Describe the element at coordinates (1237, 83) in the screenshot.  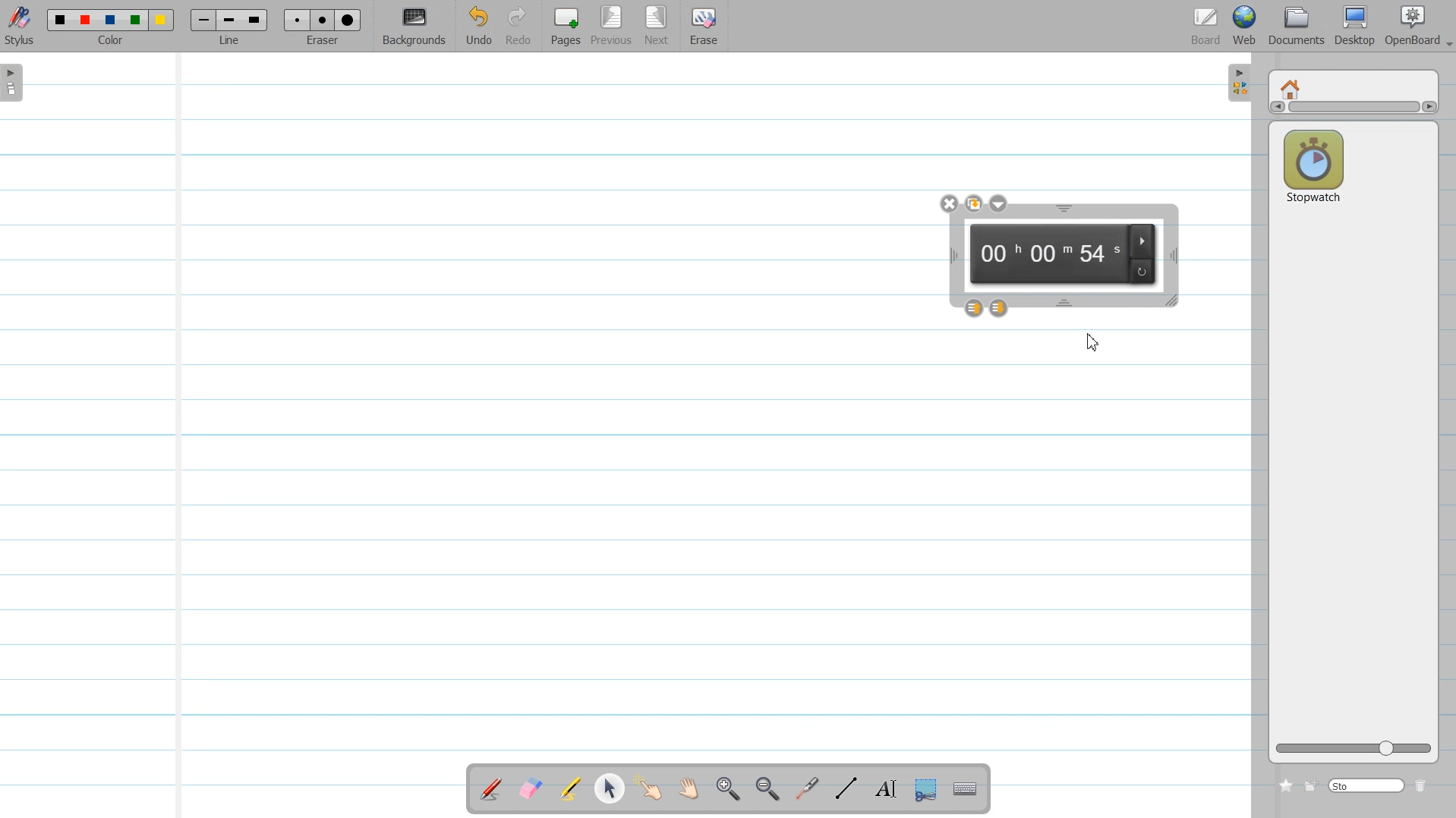
I see `Sidebar` at that location.